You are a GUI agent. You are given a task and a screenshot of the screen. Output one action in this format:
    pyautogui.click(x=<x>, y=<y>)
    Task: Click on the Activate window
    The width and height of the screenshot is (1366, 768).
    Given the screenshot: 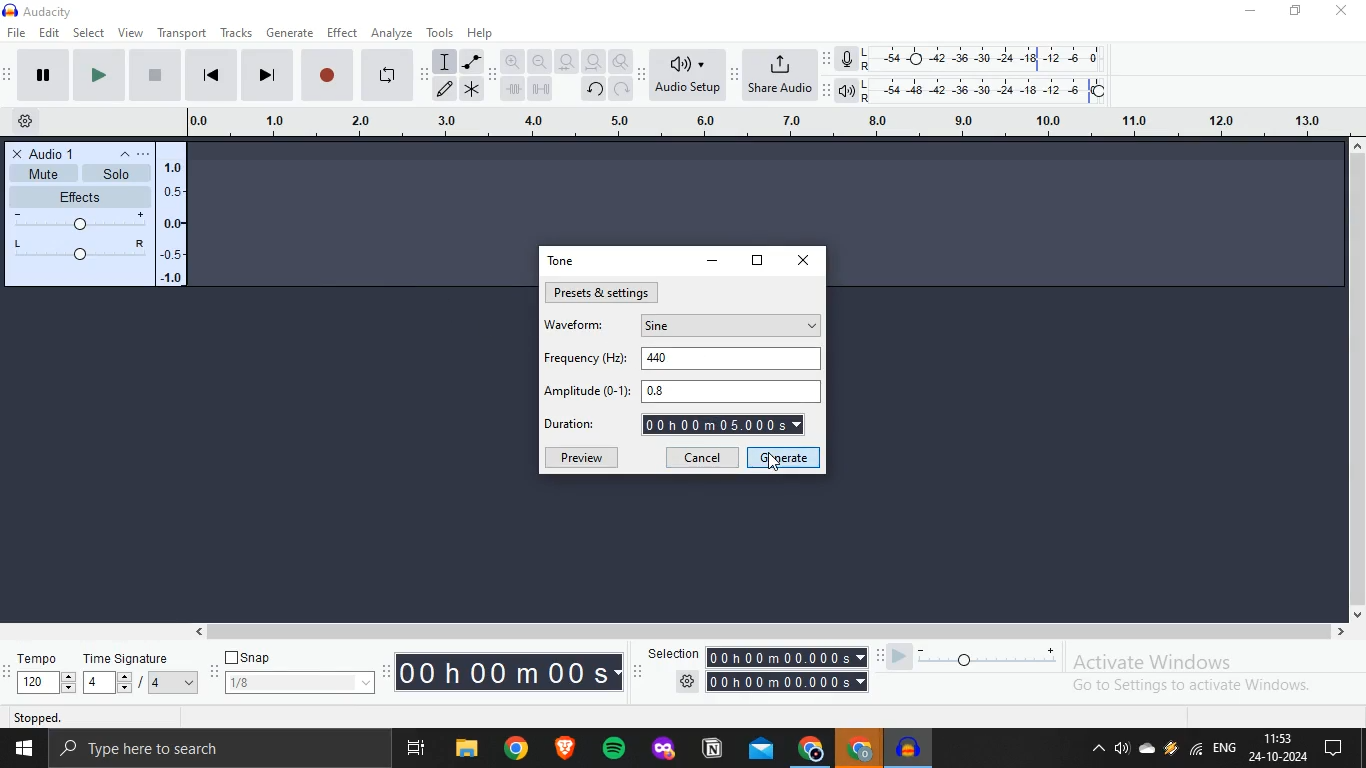 What is the action you would take?
    pyautogui.click(x=1212, y=675)
    